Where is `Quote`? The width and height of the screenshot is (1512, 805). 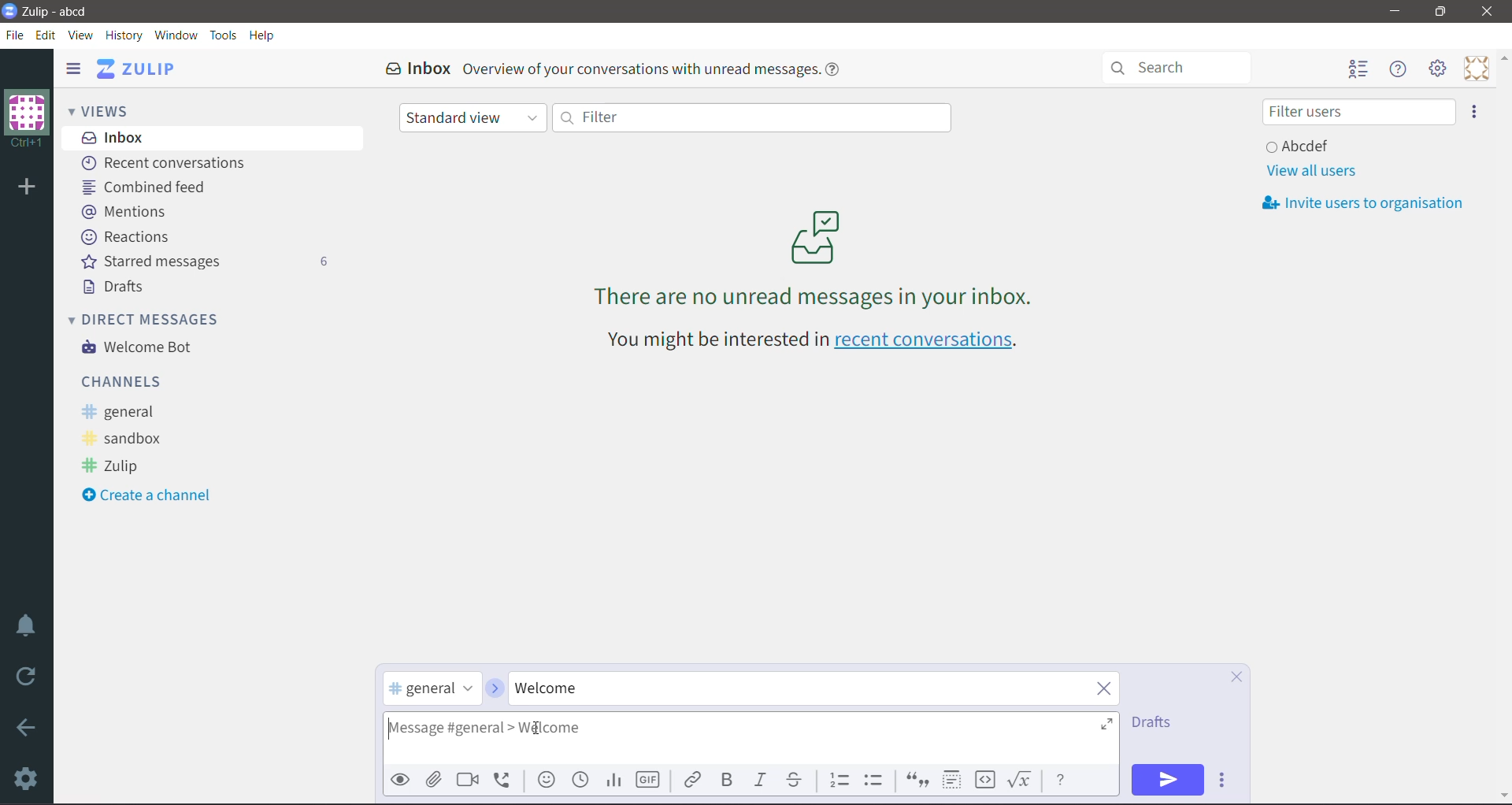 Quote is located at coordinates (916, 781).